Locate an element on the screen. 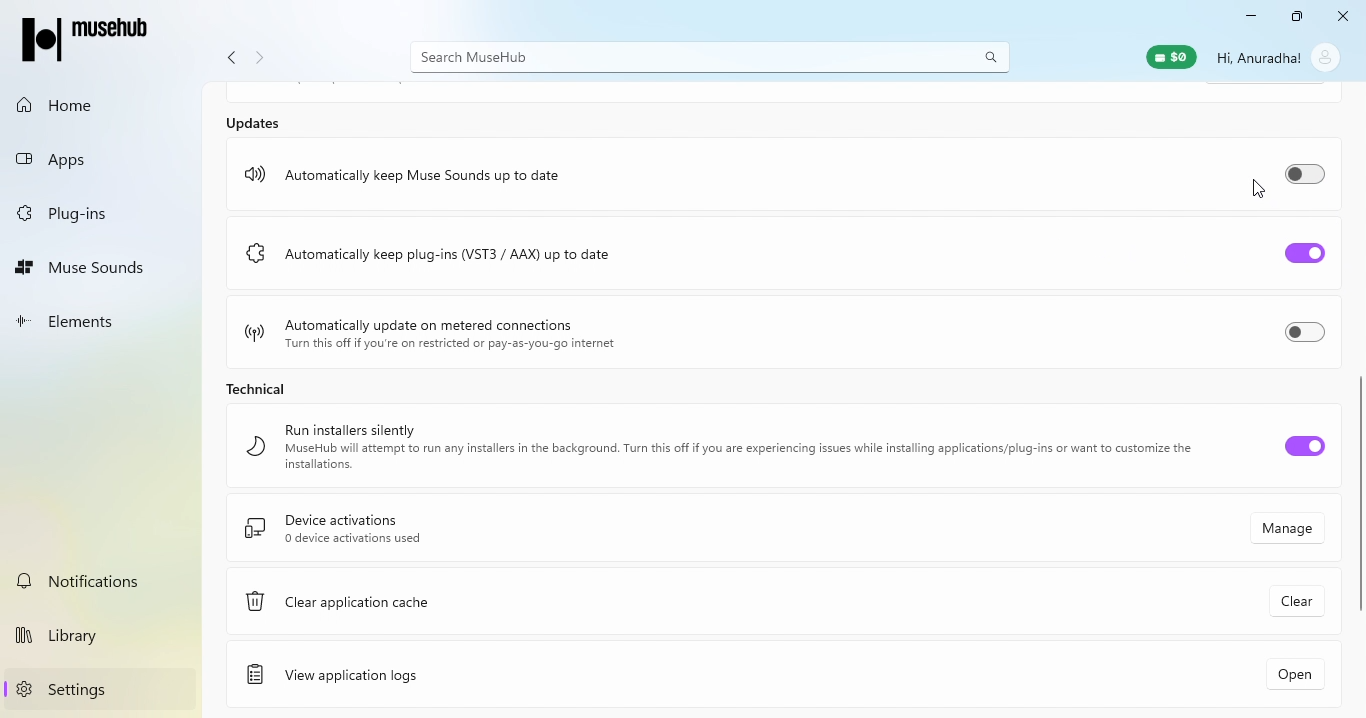 The image size is (1366, 718). Hi, Anuradha! is located at coordinates (1260, 57).